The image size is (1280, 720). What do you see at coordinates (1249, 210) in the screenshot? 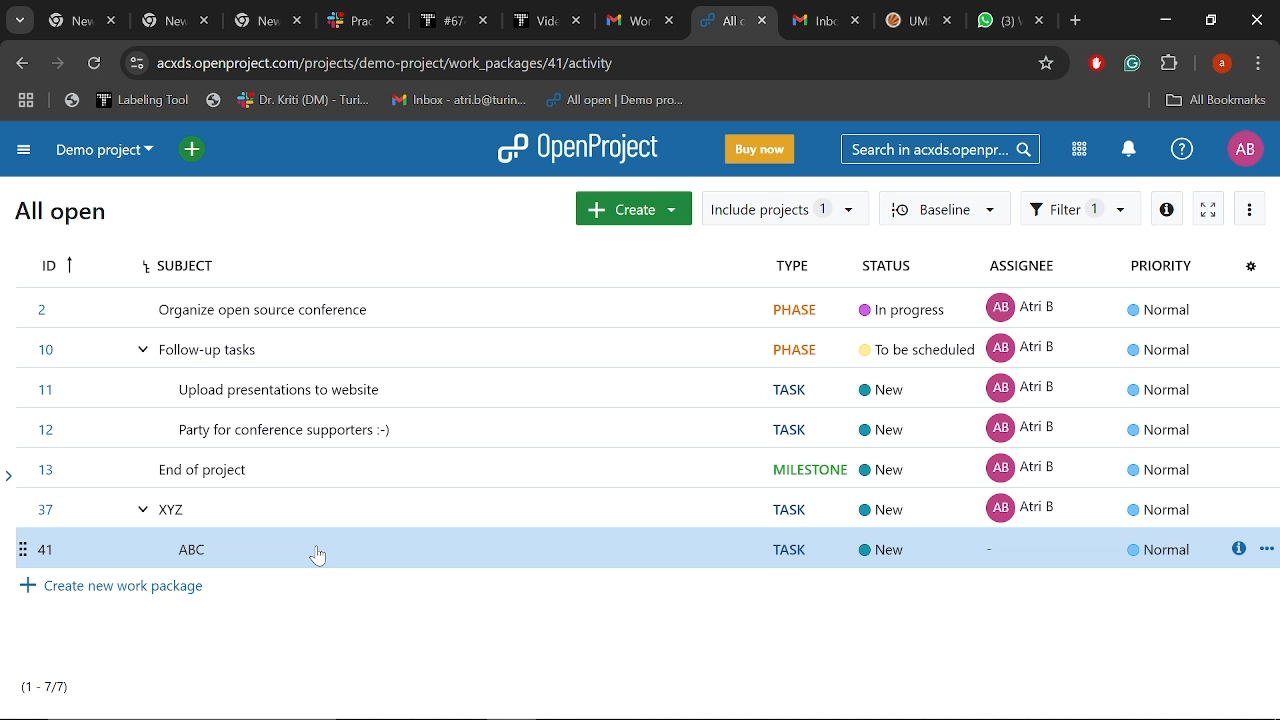
I see `More actions` at bounding box center [1249, 210].